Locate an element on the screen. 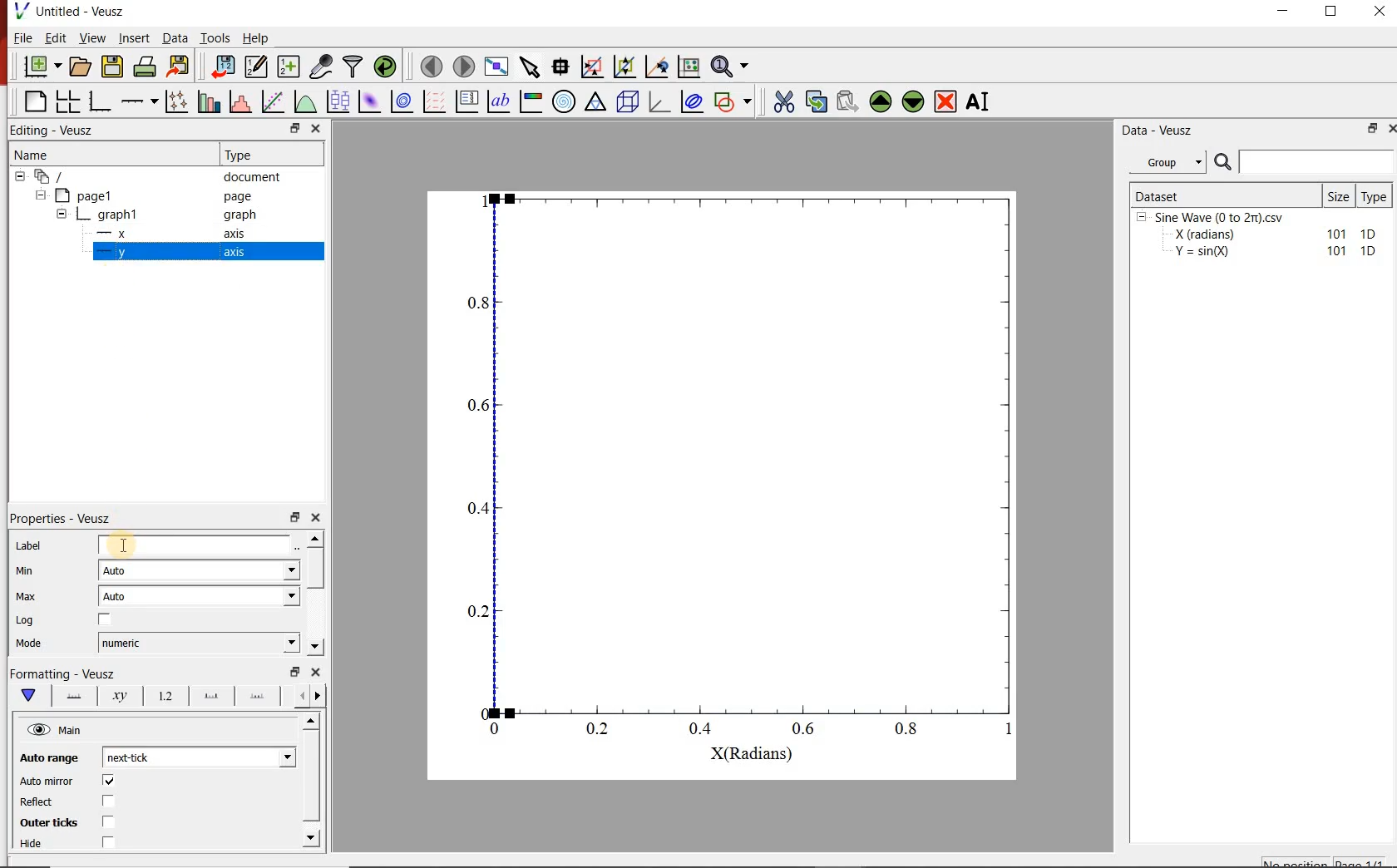  Reflect is located at coordinates (38, 802).